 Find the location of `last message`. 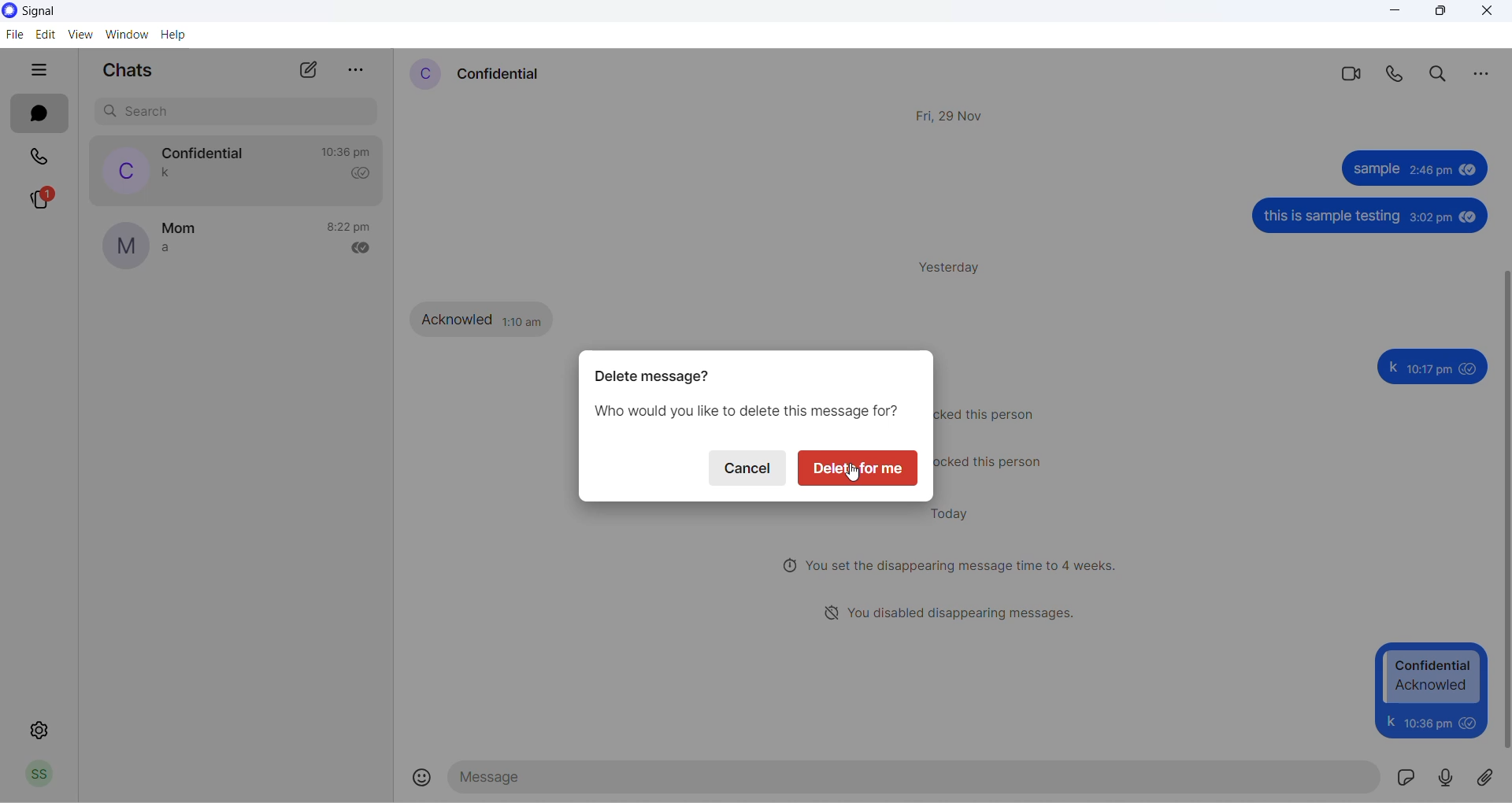

last message is located at coordinates (166, 251).